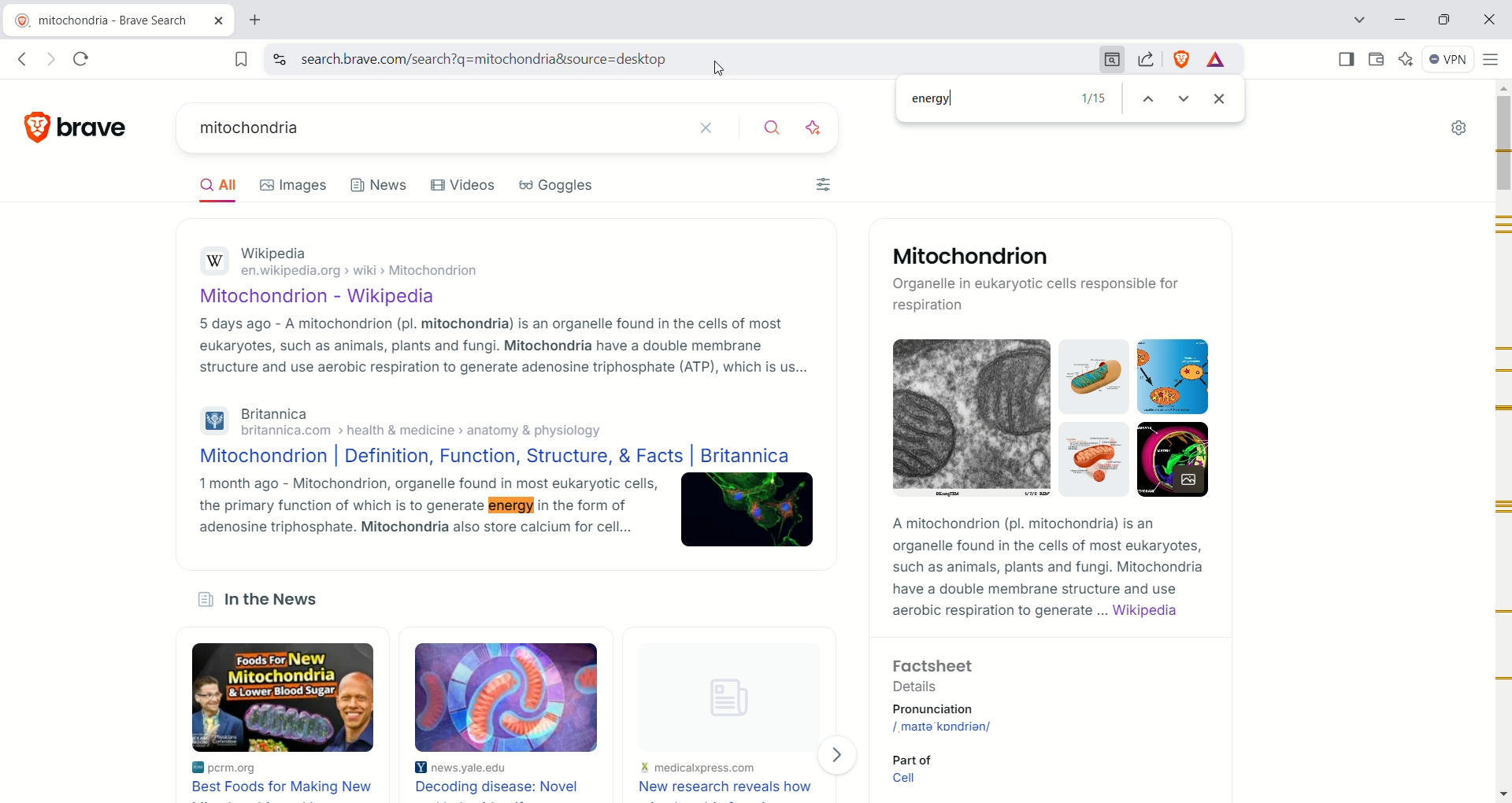 This screenshot has width=1512, height=803. I want to click on pcrm.org, so click(245, 768).